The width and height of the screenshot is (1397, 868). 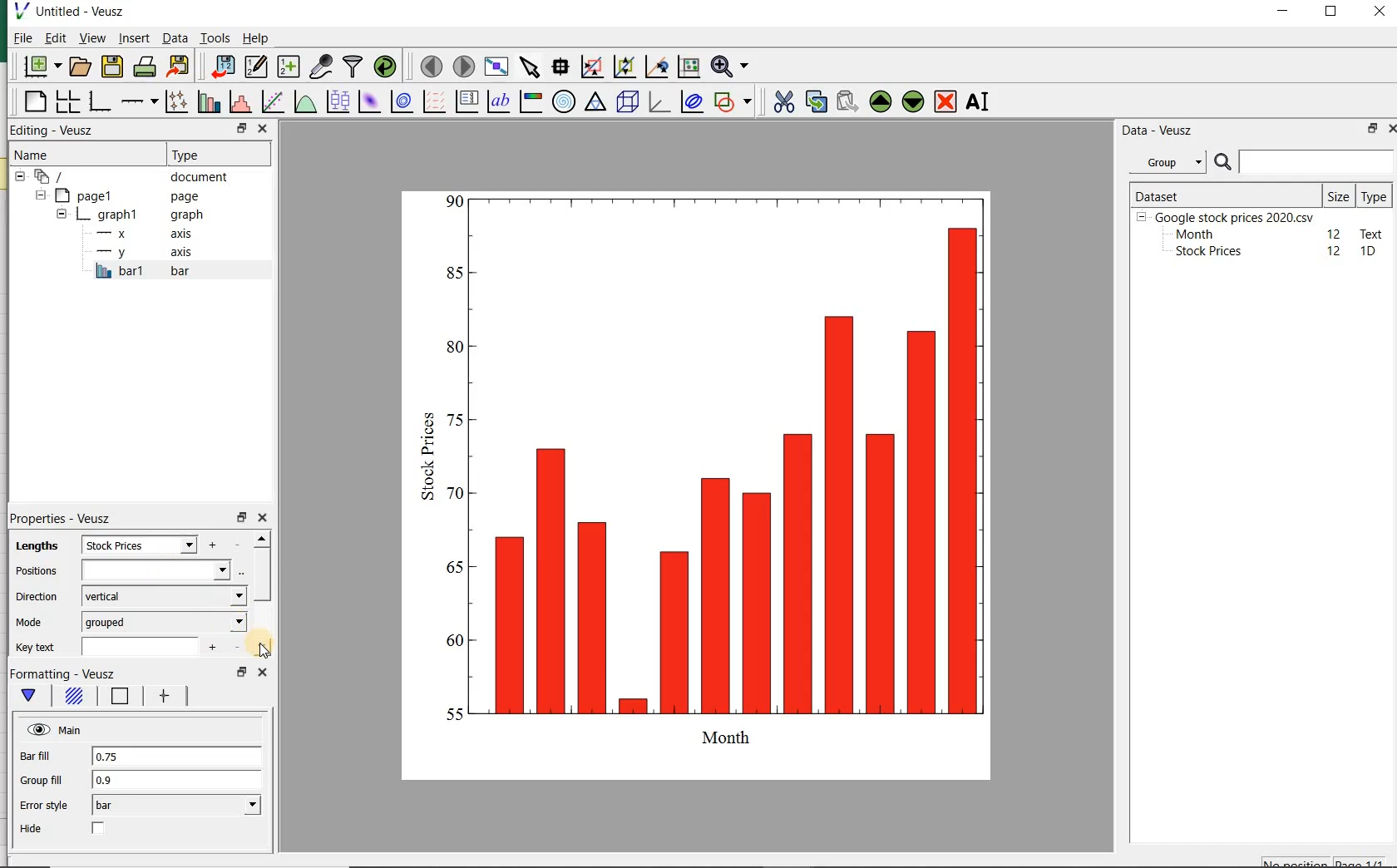 What do you see at coordinates (137, 234) in the screenshot?
I see `x axis` at bounding box center [137, 234].